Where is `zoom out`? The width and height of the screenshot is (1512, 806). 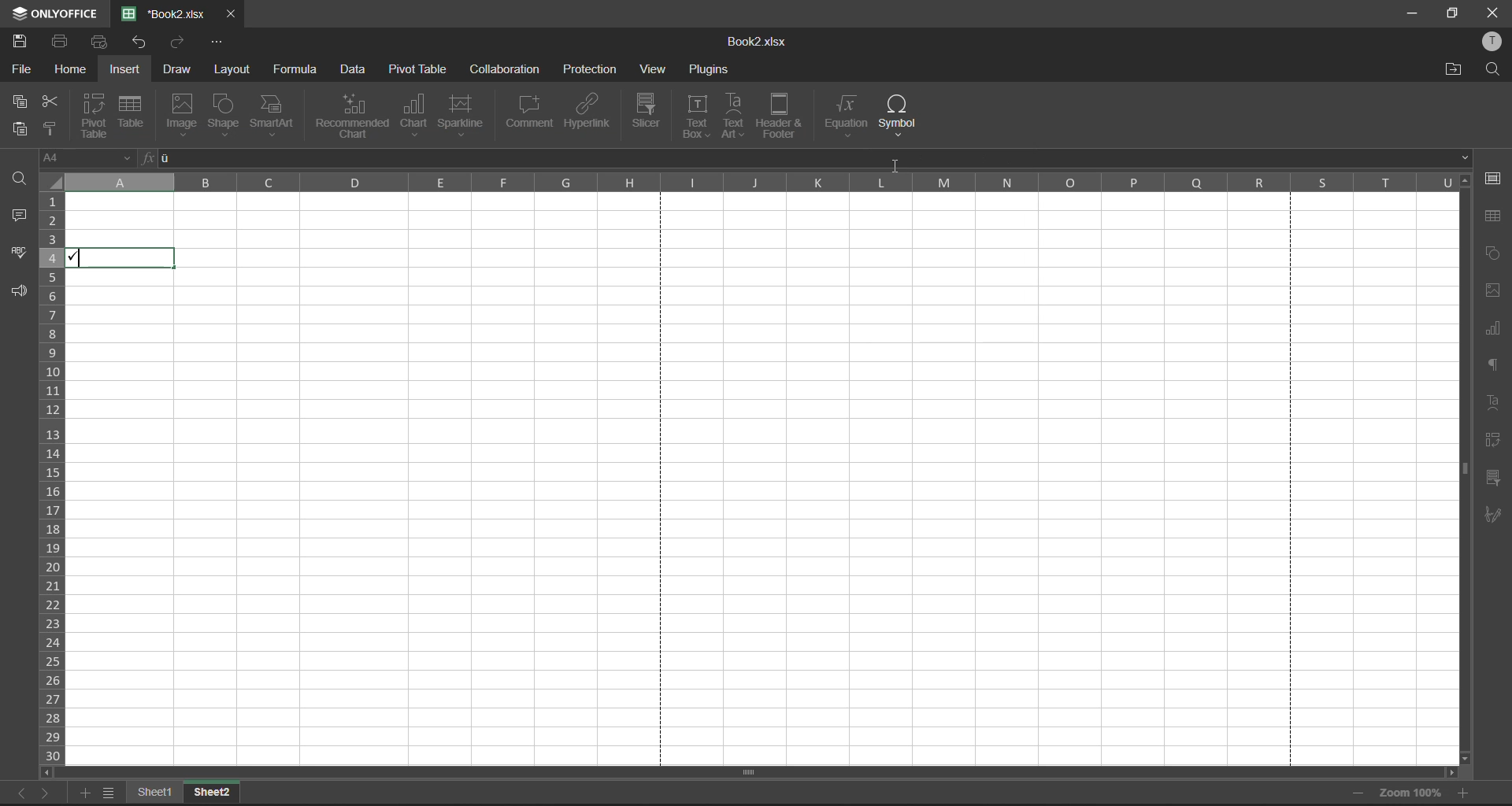
zoom out is located at coordinates (1352, 794).